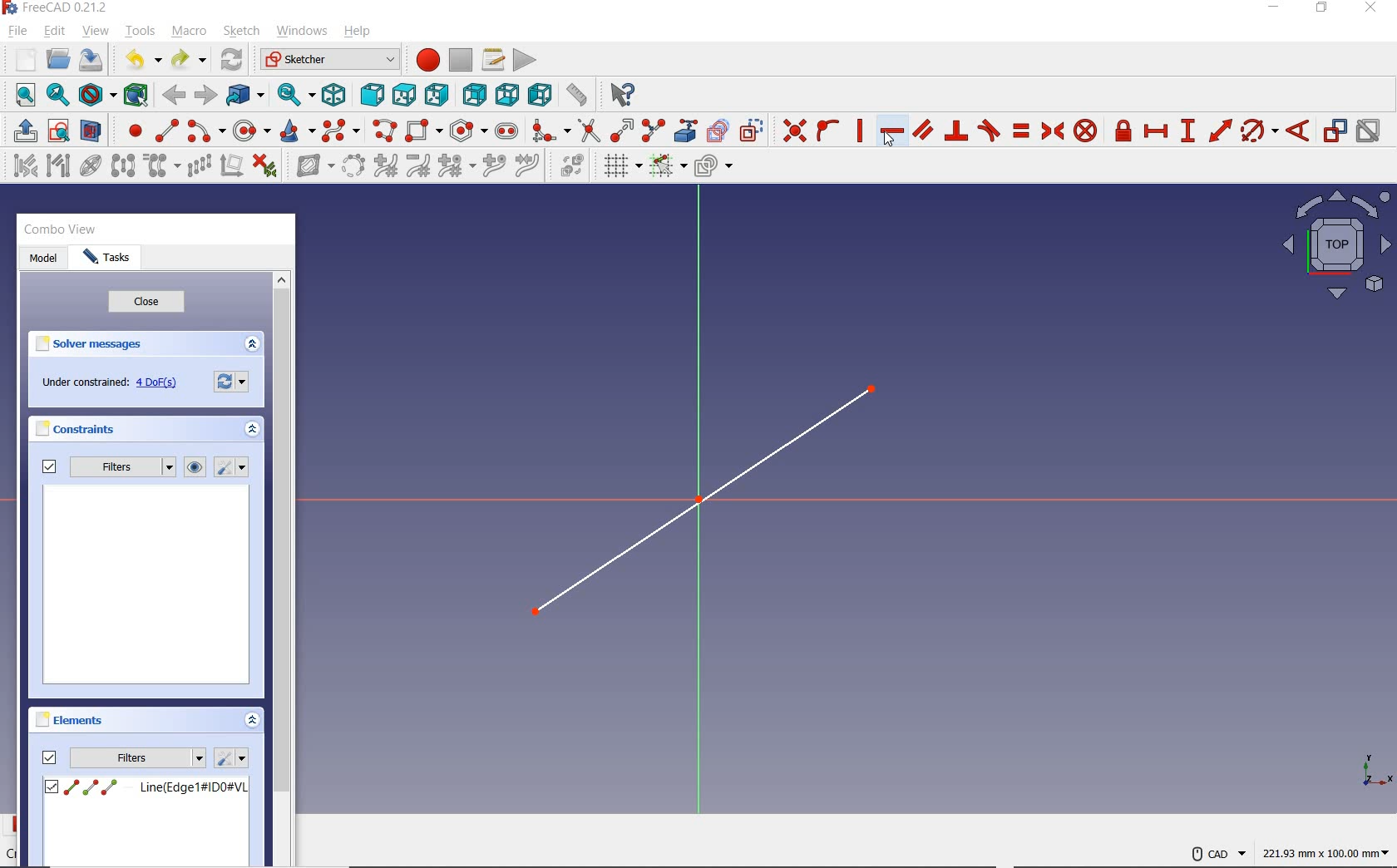  What do you see at coordinates (1050, 131) in the screenshot?
I see `CONSTRAIN SYMMETRICAL` at bounding box center [1050, 131].